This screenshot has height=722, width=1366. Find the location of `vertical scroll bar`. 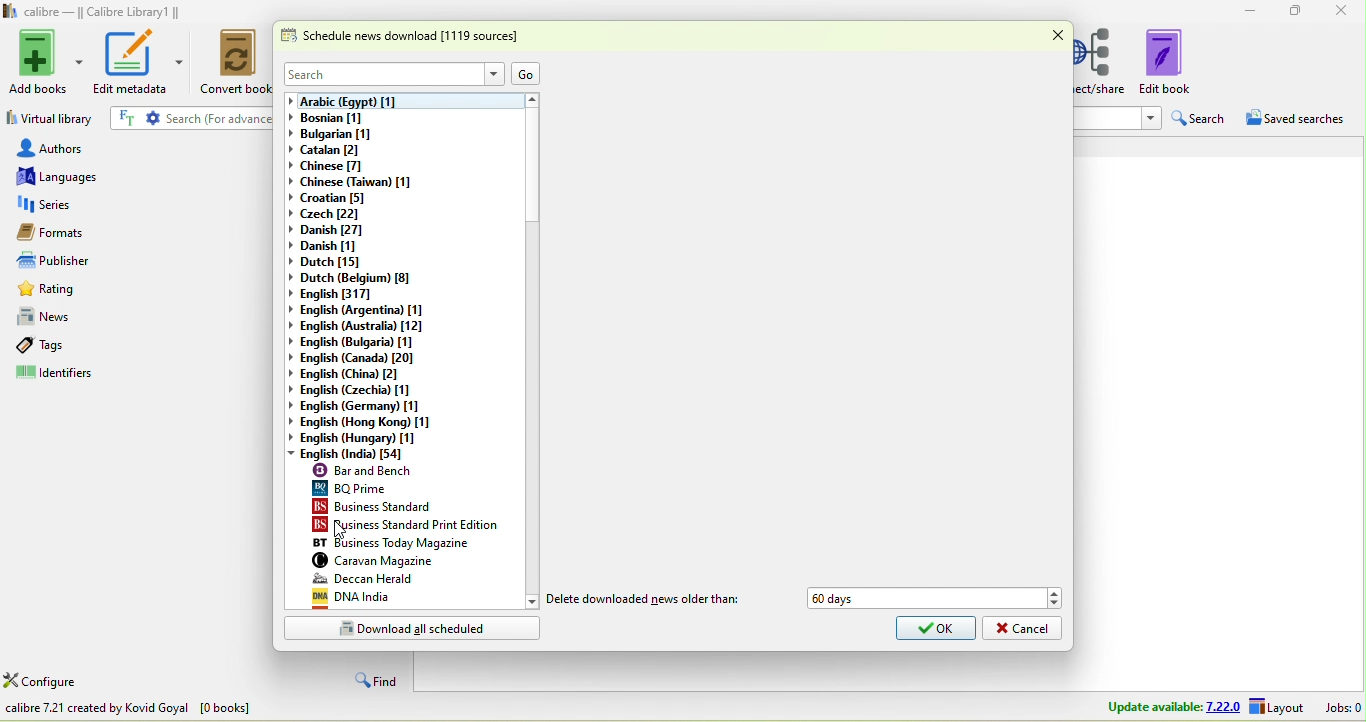

vertical scroll bar is located at coordinates (531, 352).